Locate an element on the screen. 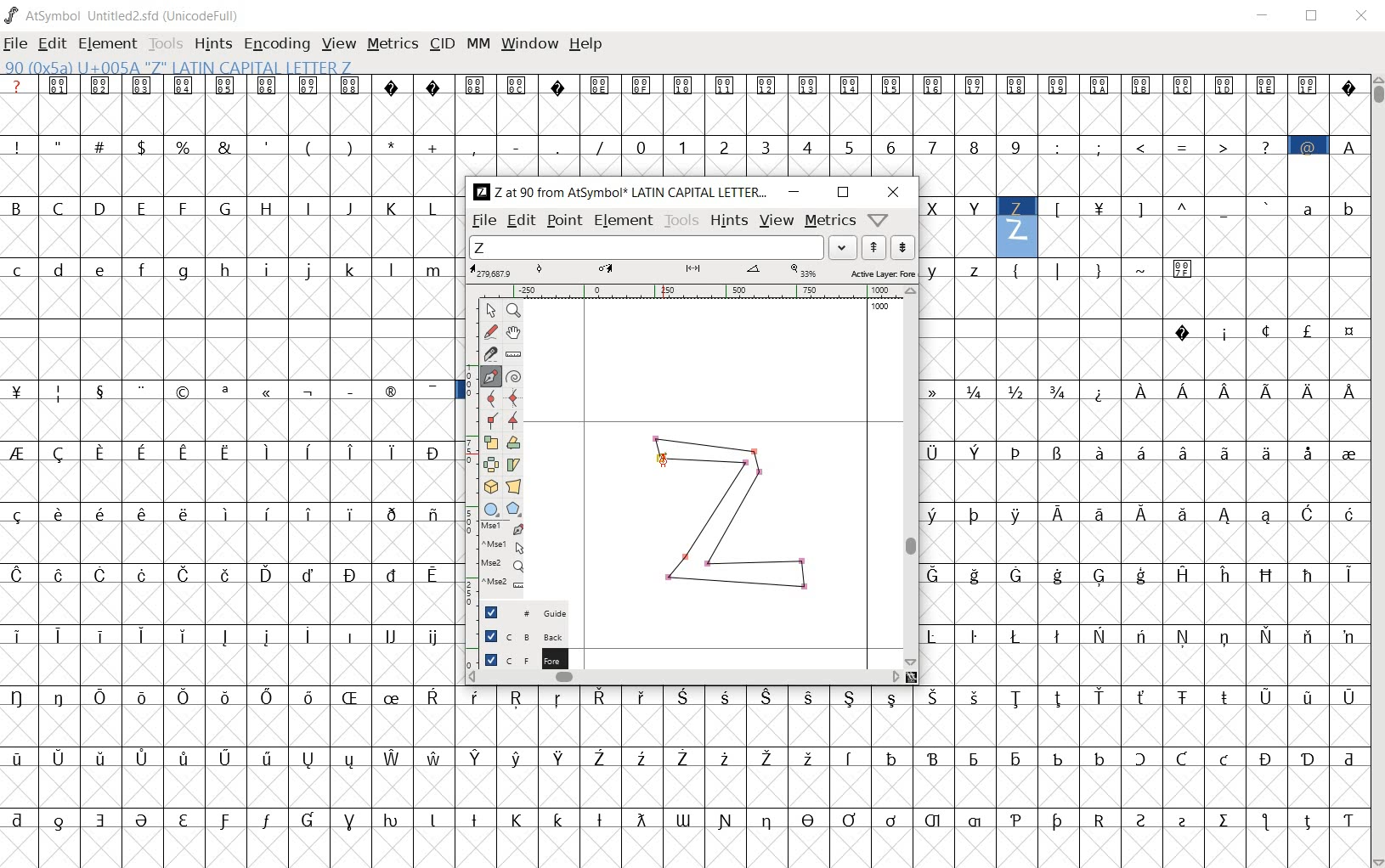 The width and height of the screenshot is (1385, 868). perform a perspective transformation on the selection is located at coordinates (513, 487).